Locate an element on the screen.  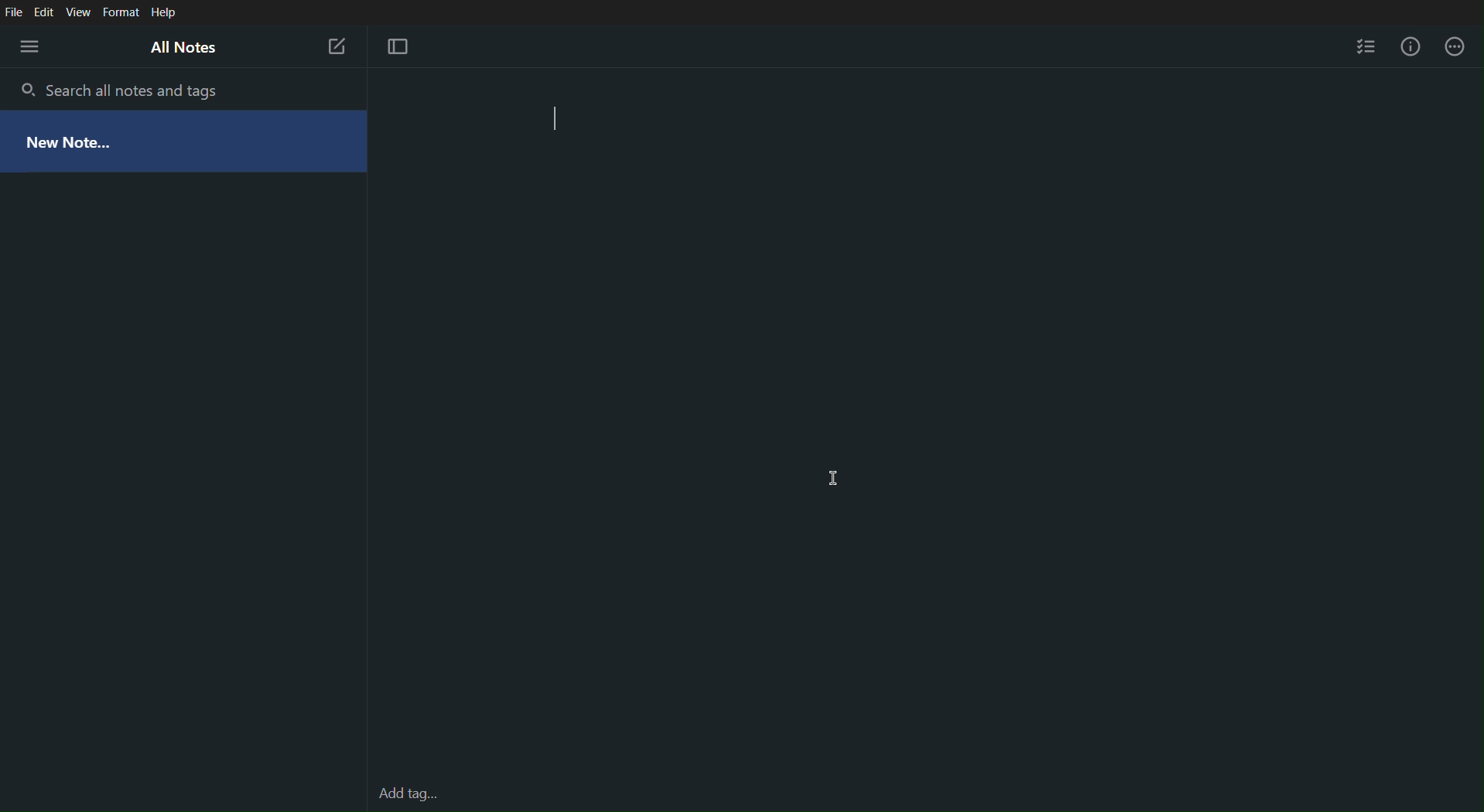
Menu is located at coordinates (31, 48).